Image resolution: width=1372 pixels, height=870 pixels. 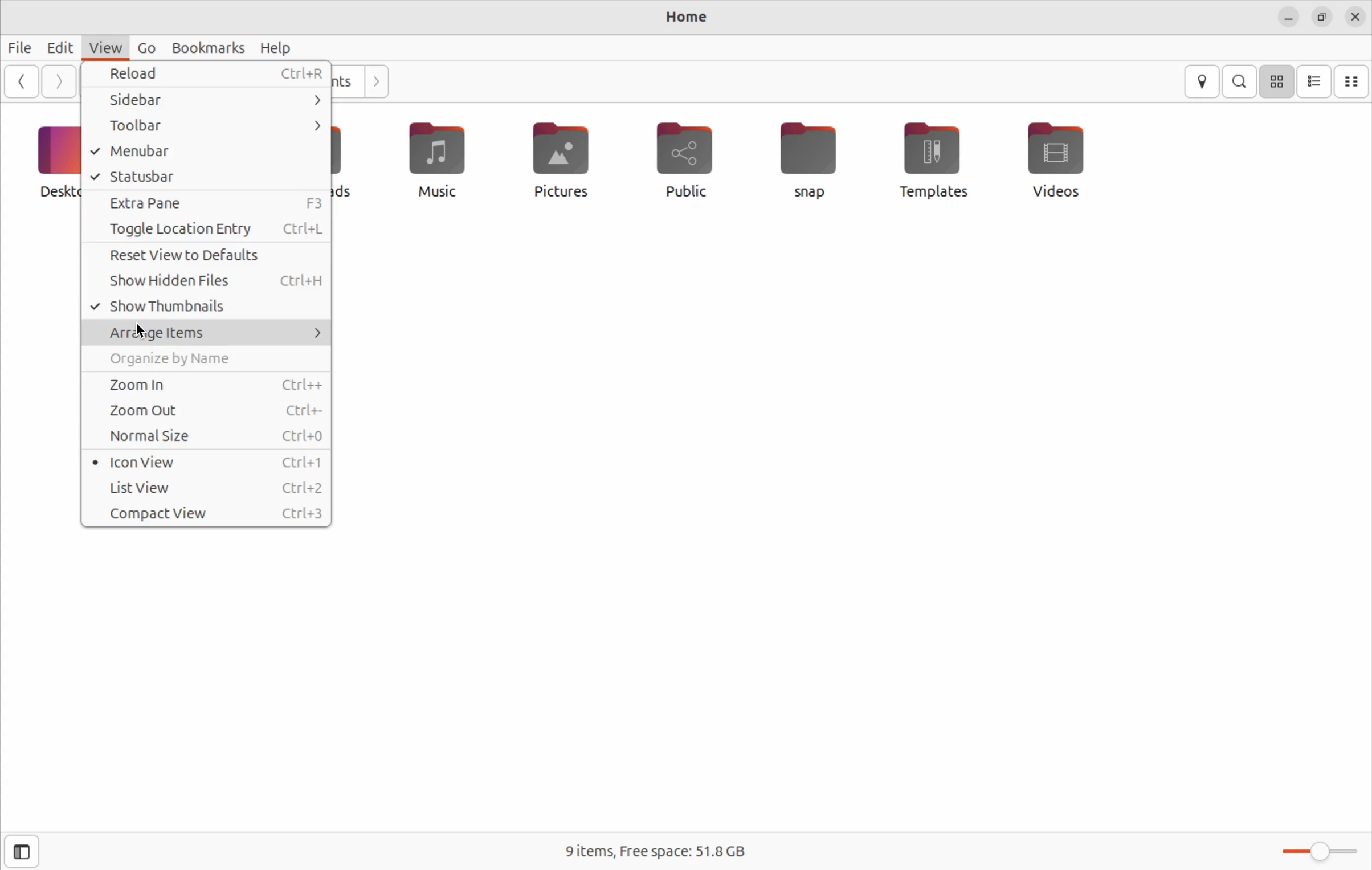 I want to click on search, so click(x=1239, y=81).